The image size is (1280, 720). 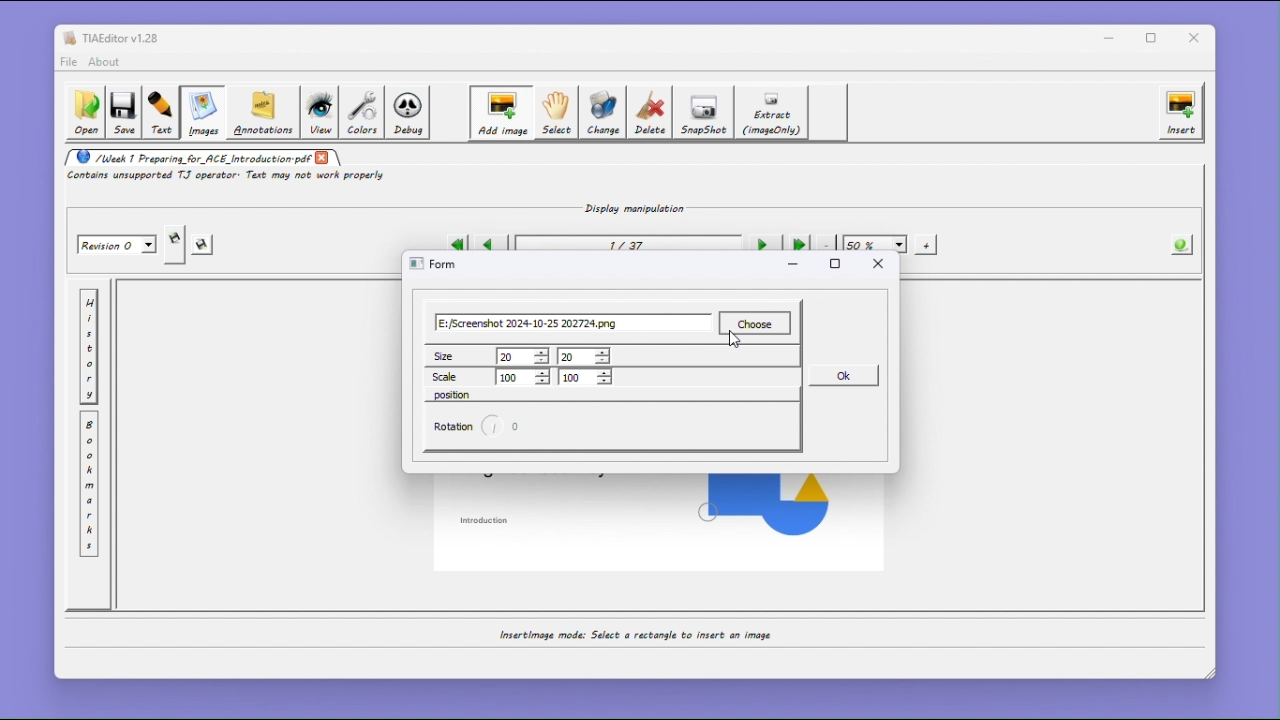 I want to click on 1/37, so click(x=625, y=246).